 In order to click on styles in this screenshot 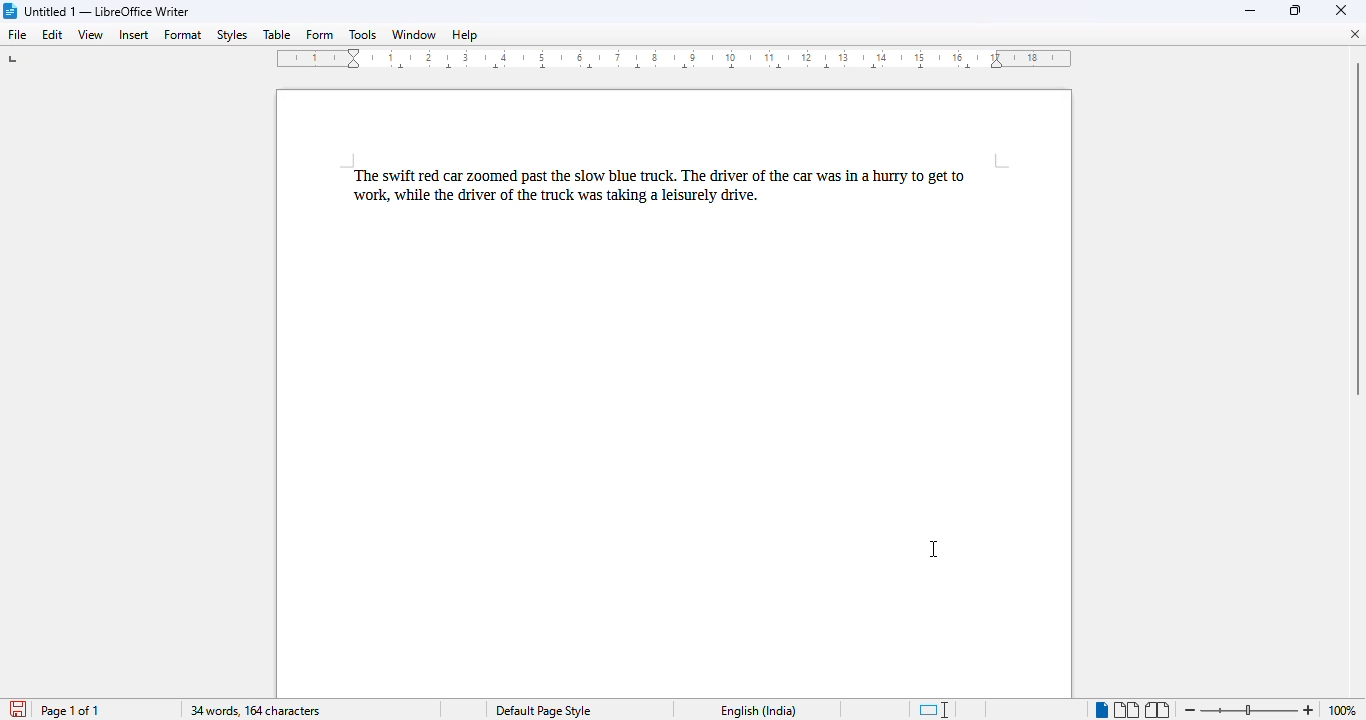, I will do `click(231, 35)`.